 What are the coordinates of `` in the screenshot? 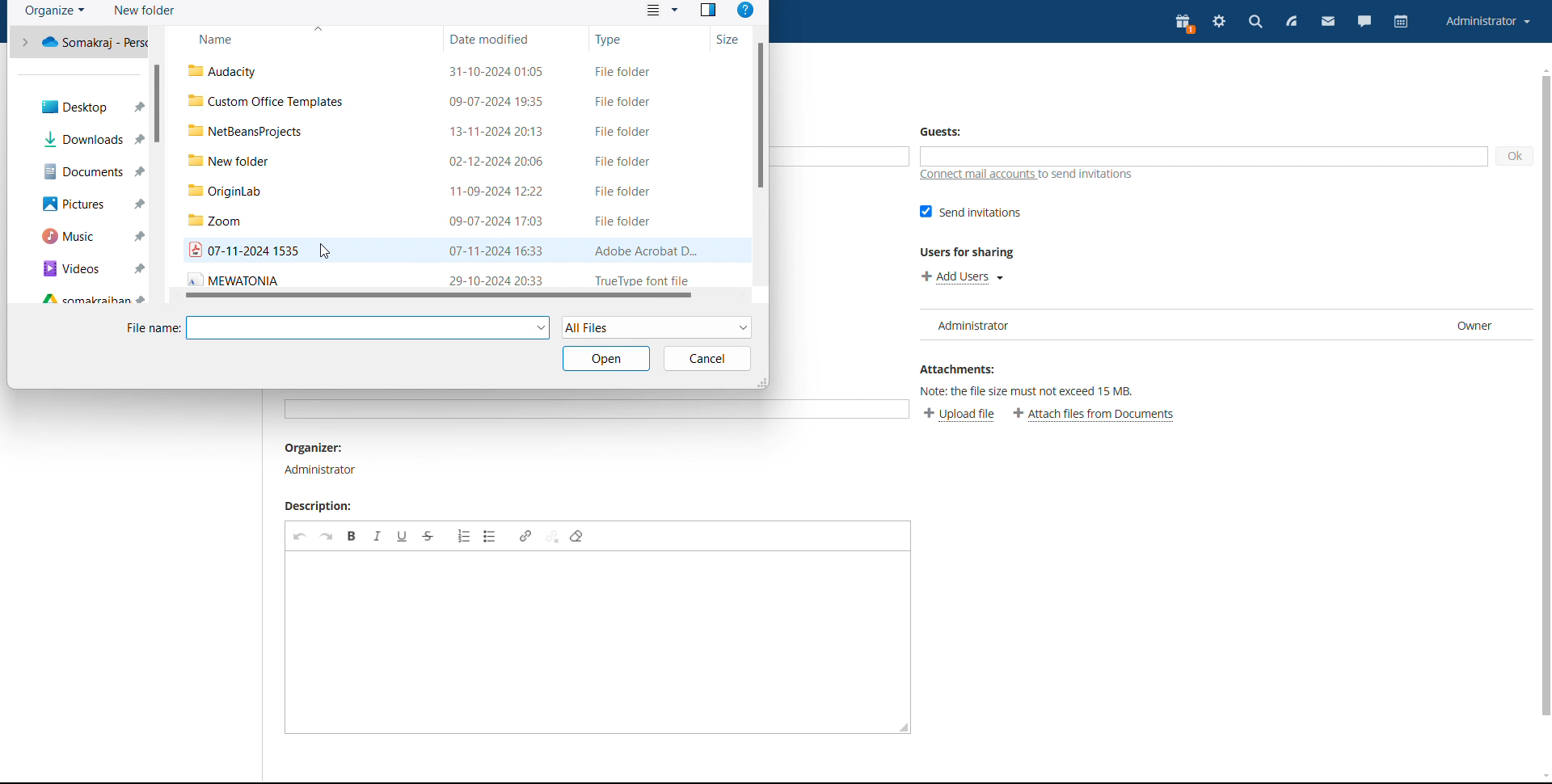 It's located at (84, 43).